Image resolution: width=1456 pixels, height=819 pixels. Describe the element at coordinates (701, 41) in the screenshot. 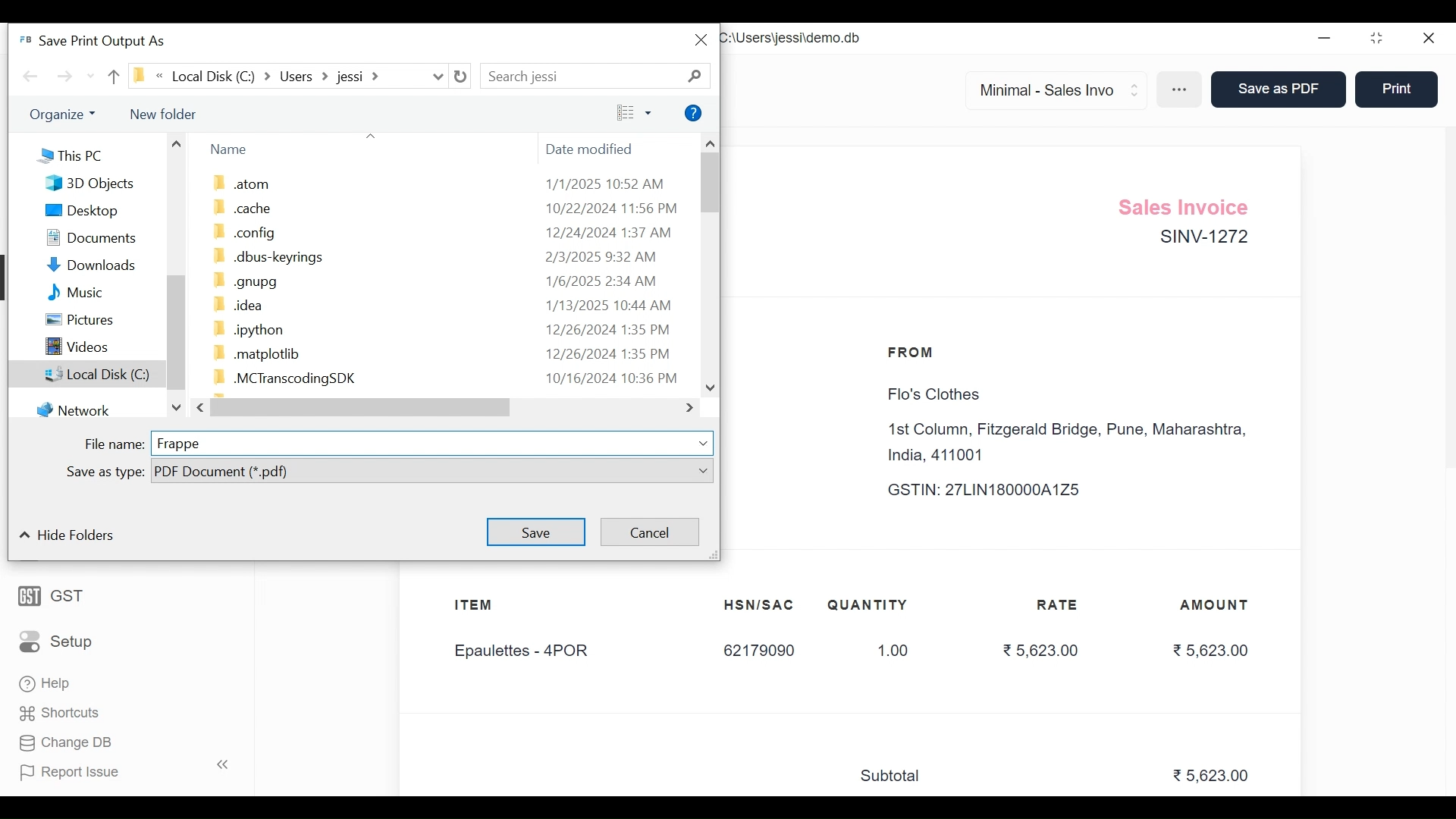

I see `Close` at that location.